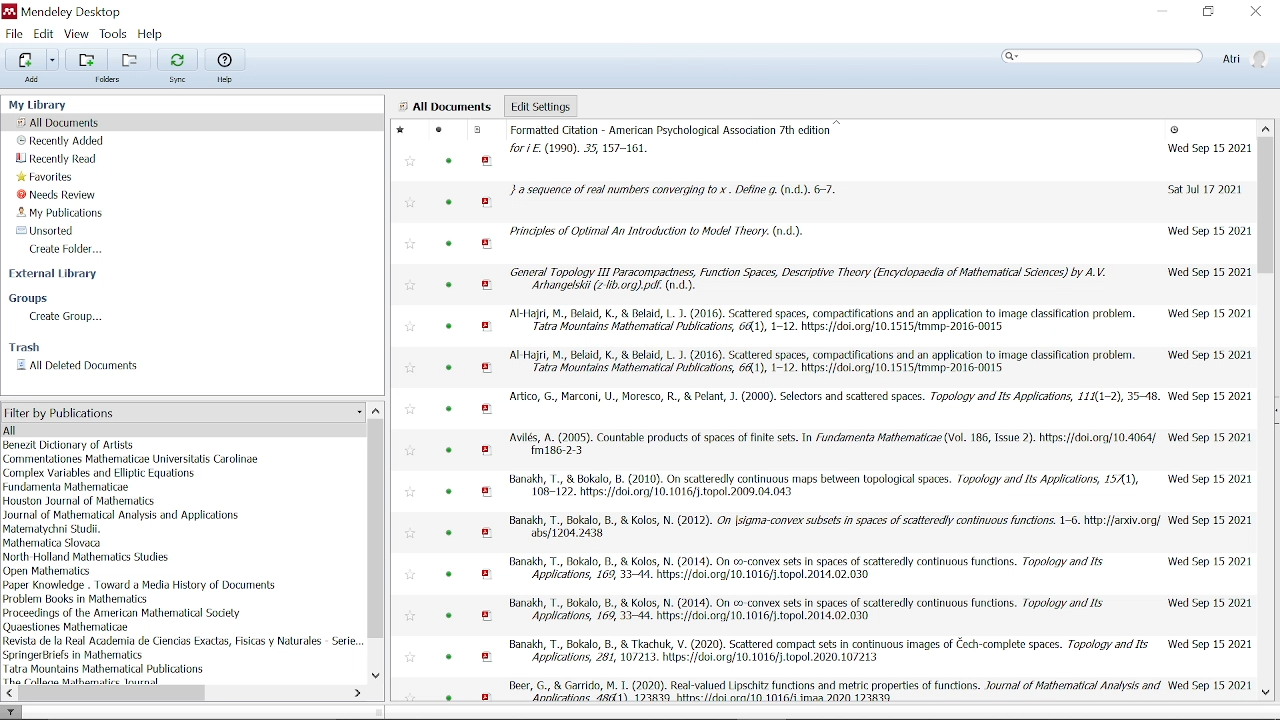 The width and height of the screenshot is (1280, 720). Describe the element at coordinates (109, 79) in the screenshot. I see `folders` at that location.